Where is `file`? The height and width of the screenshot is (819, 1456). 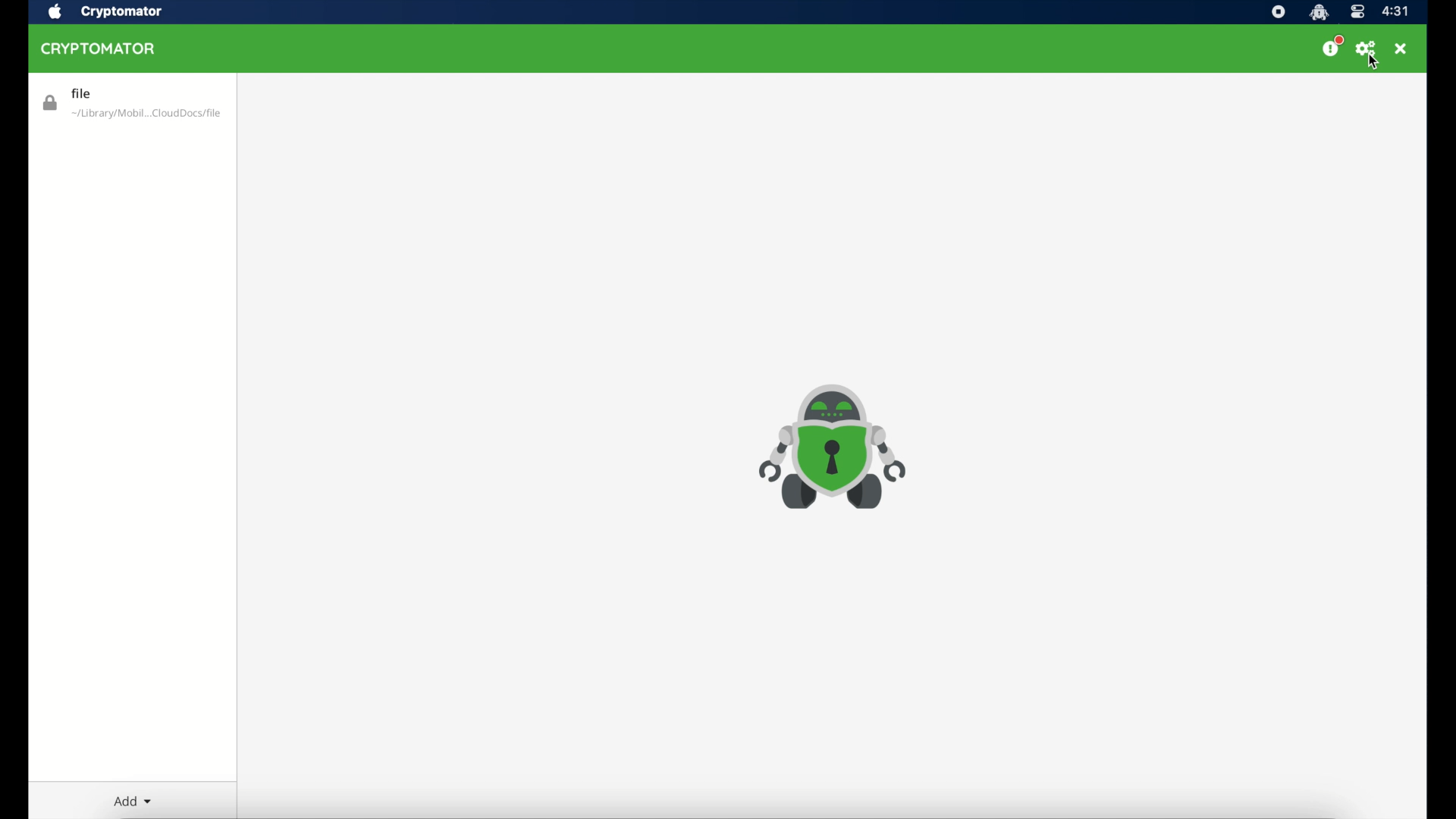 file is located at coordinates (131, 104).